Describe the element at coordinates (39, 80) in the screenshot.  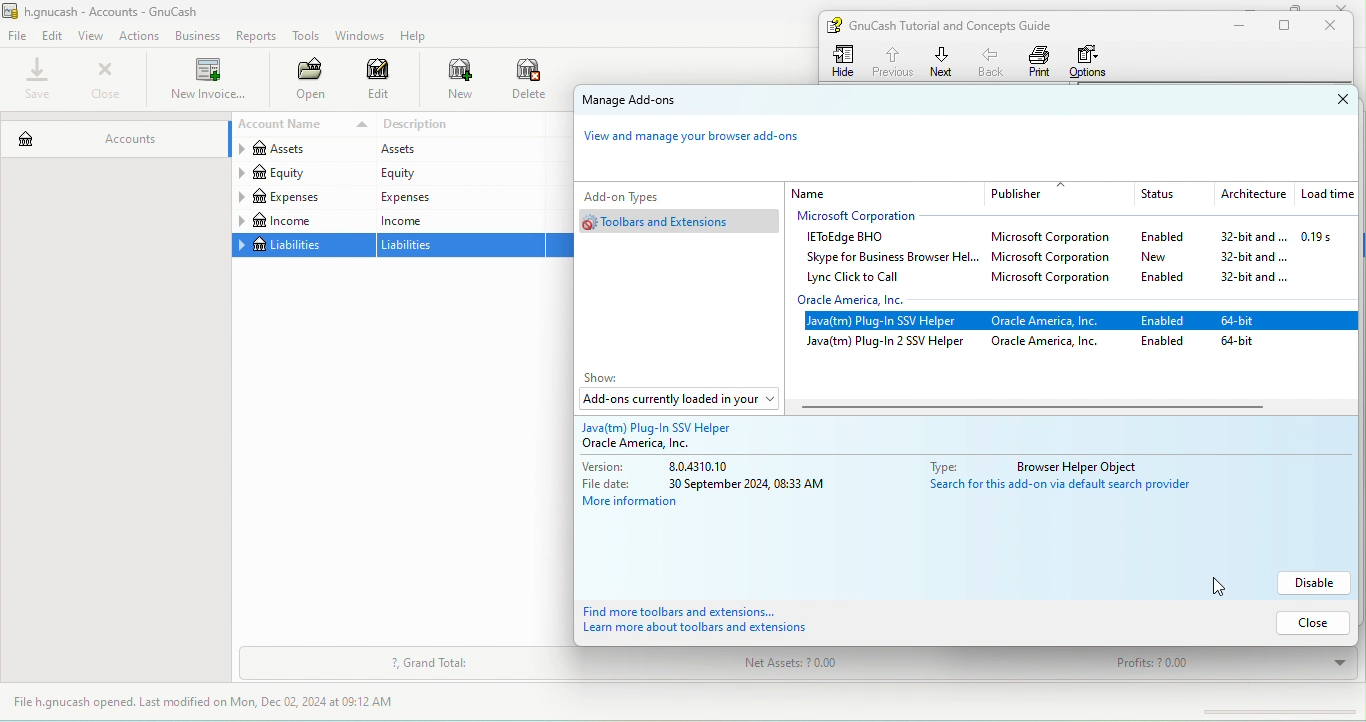
I see `save` at that location.